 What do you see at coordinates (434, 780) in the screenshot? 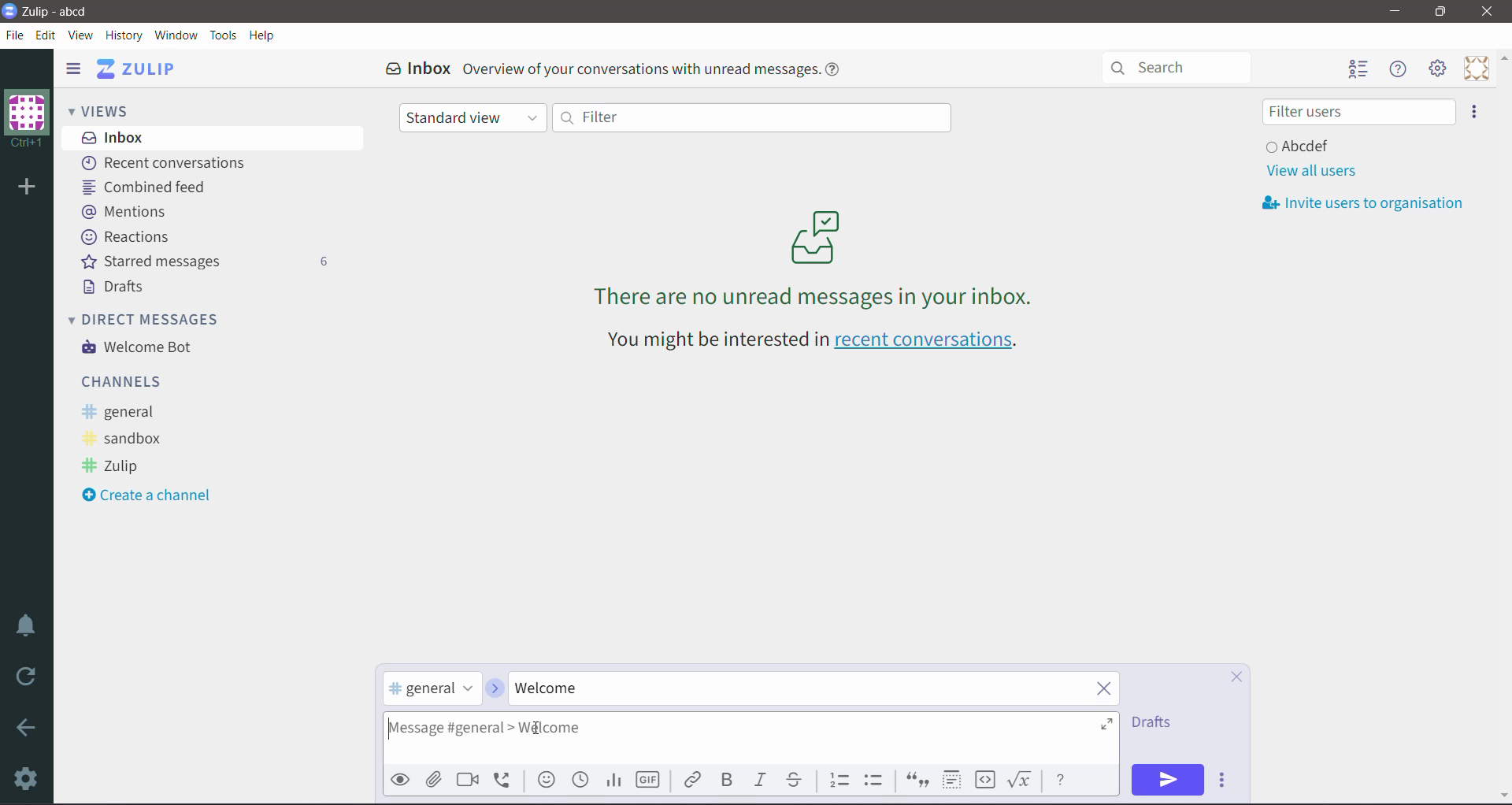
I see `Upload File` at bounding box center [434, 780].